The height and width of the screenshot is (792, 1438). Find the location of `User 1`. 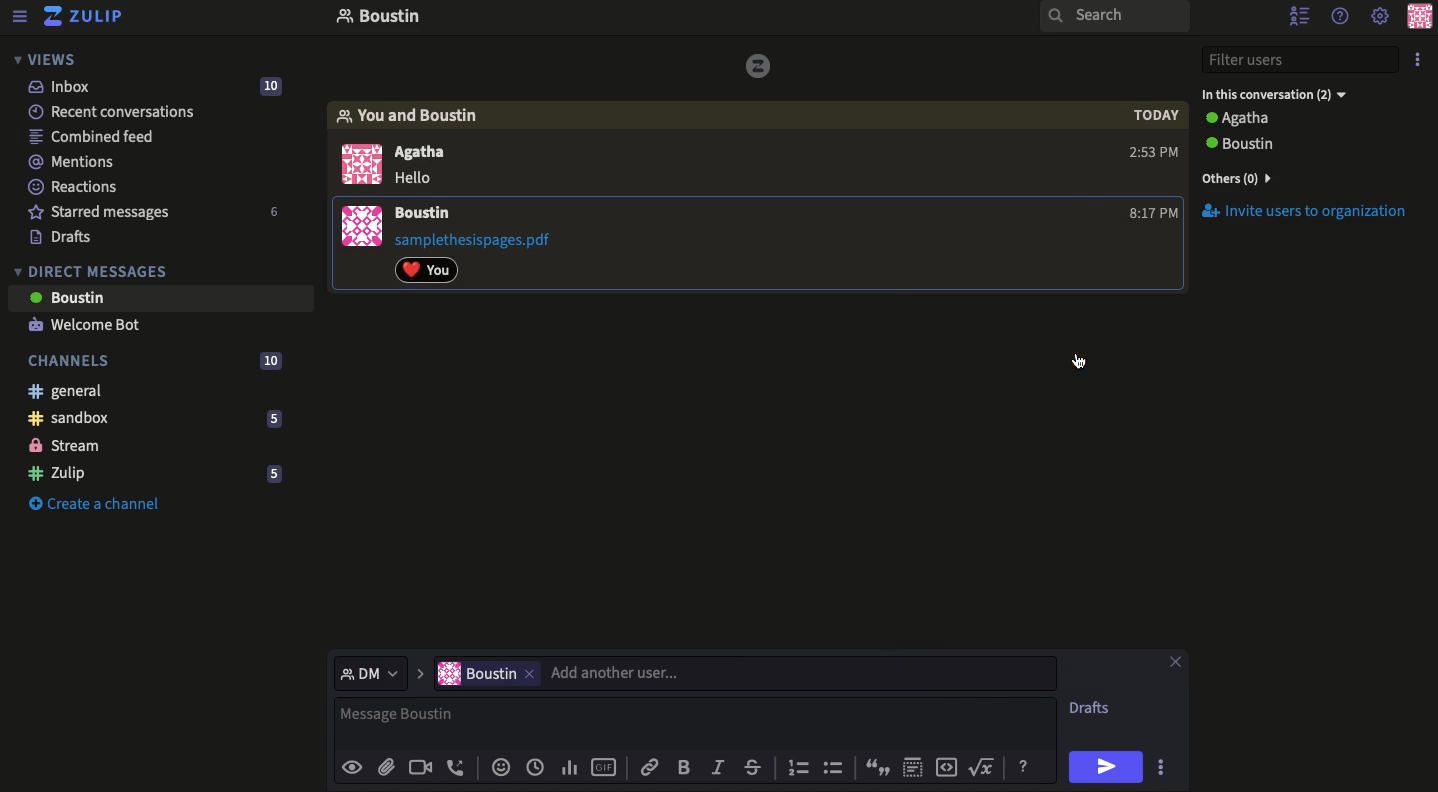

User 1 is located at coordinates (1241, 119).